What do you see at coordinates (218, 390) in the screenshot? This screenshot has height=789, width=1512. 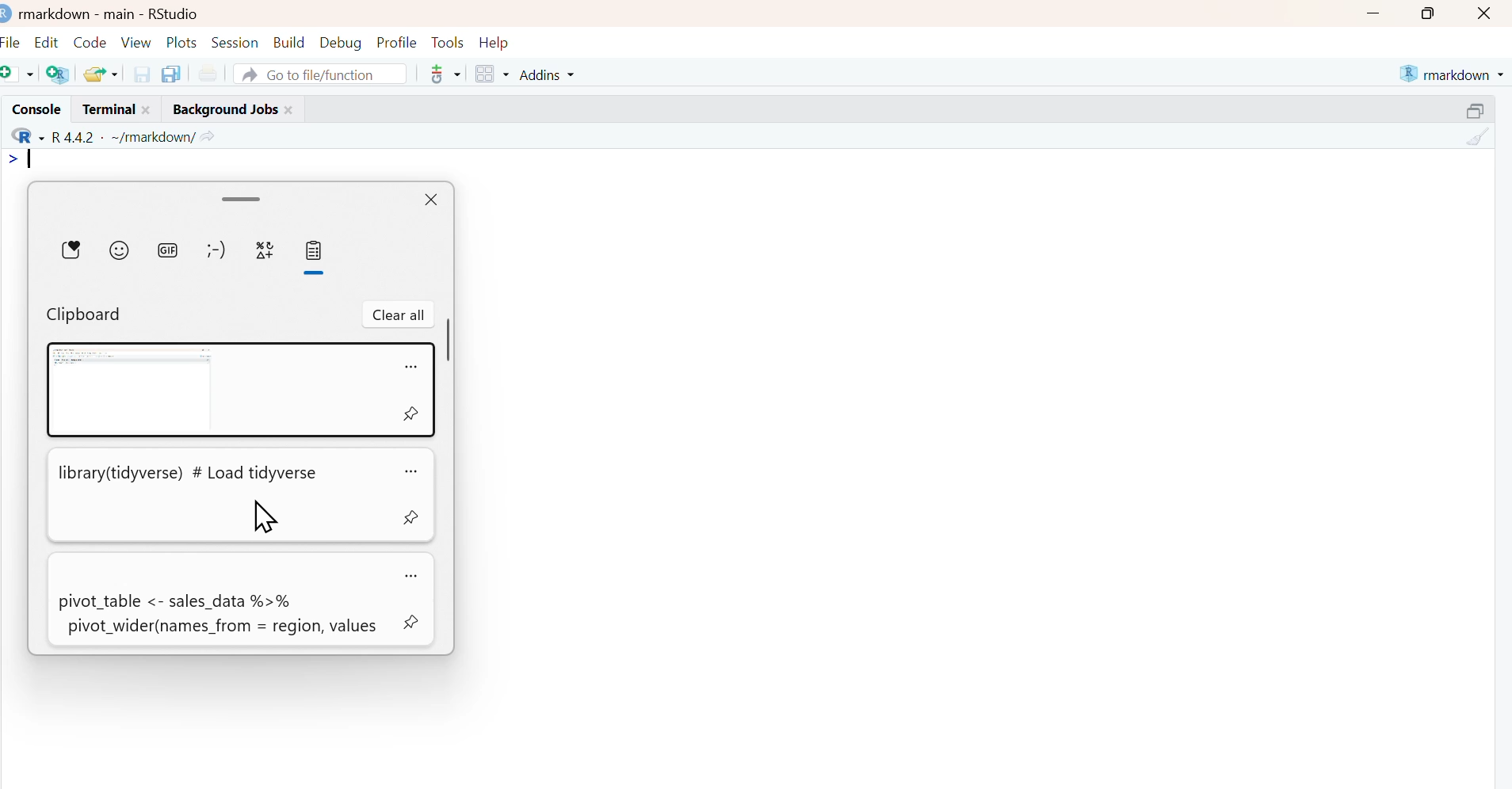 I see `clipboard entry #1` at bounding box center [218, 390].